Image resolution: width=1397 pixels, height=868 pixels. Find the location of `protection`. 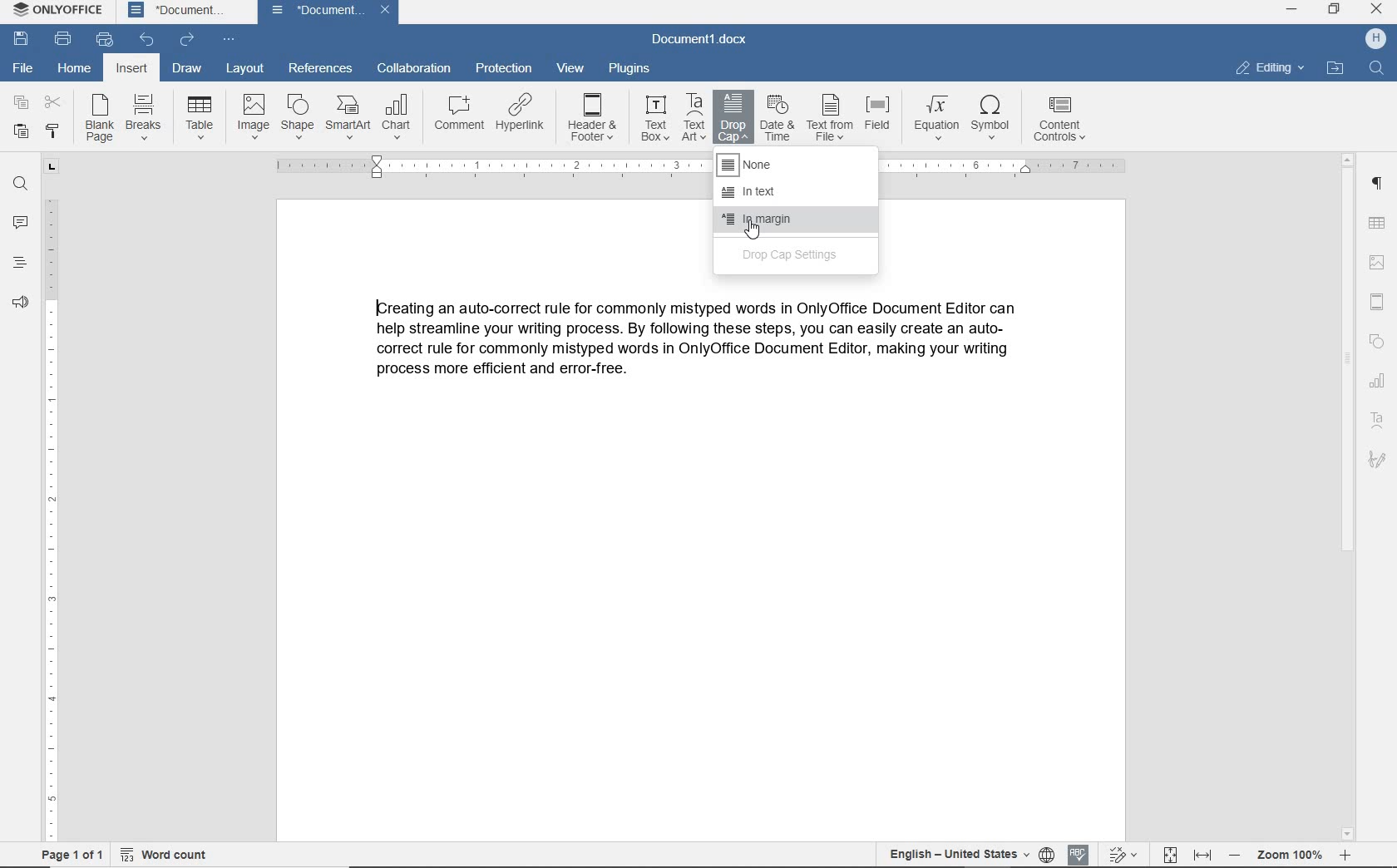

protection is located at coordinates (503, 69).